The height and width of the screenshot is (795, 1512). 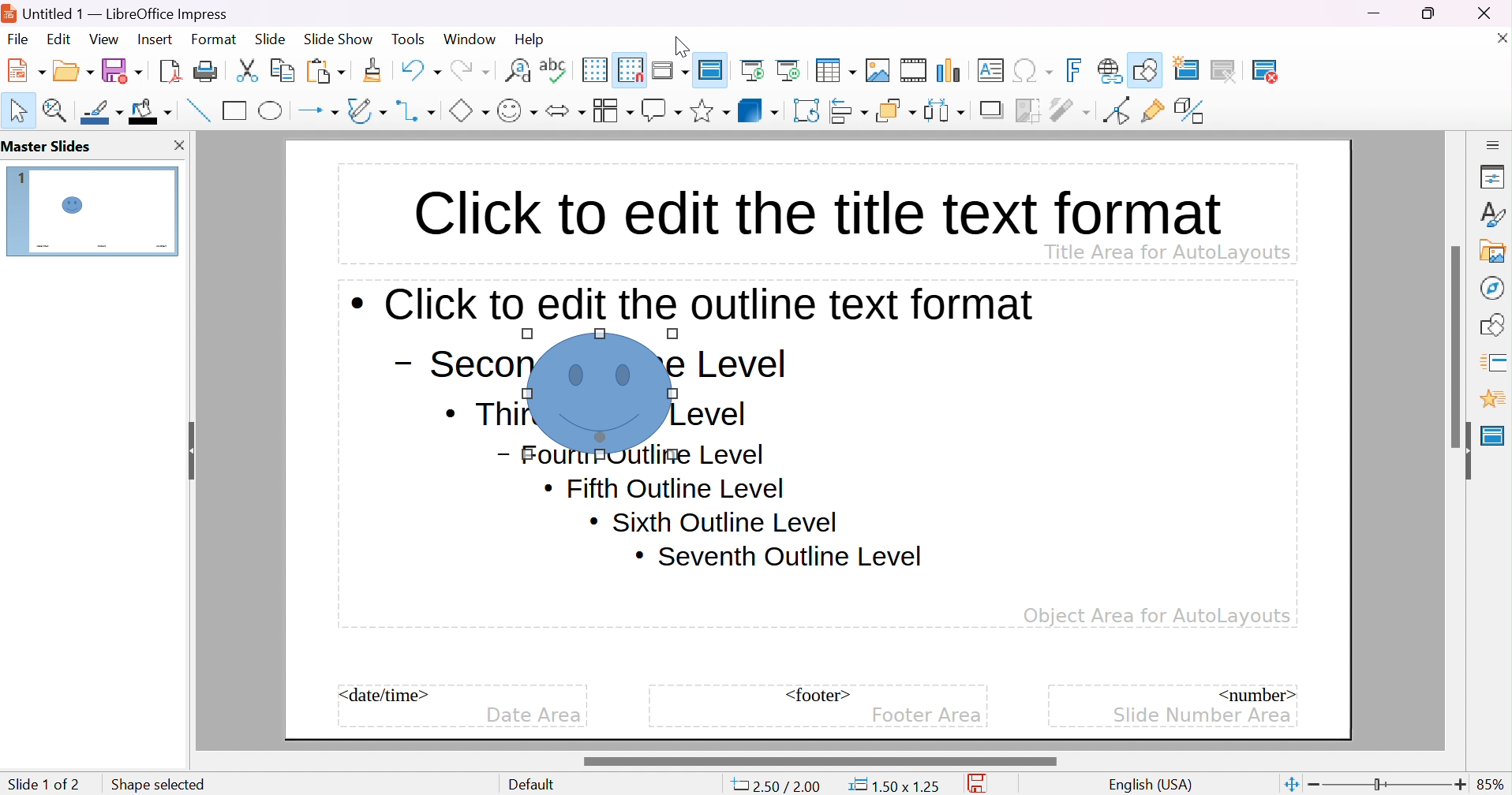 What do you see at coordinates (1072, 110) in the screenshot?
I see `filter` at bounding box center [1072, 110].